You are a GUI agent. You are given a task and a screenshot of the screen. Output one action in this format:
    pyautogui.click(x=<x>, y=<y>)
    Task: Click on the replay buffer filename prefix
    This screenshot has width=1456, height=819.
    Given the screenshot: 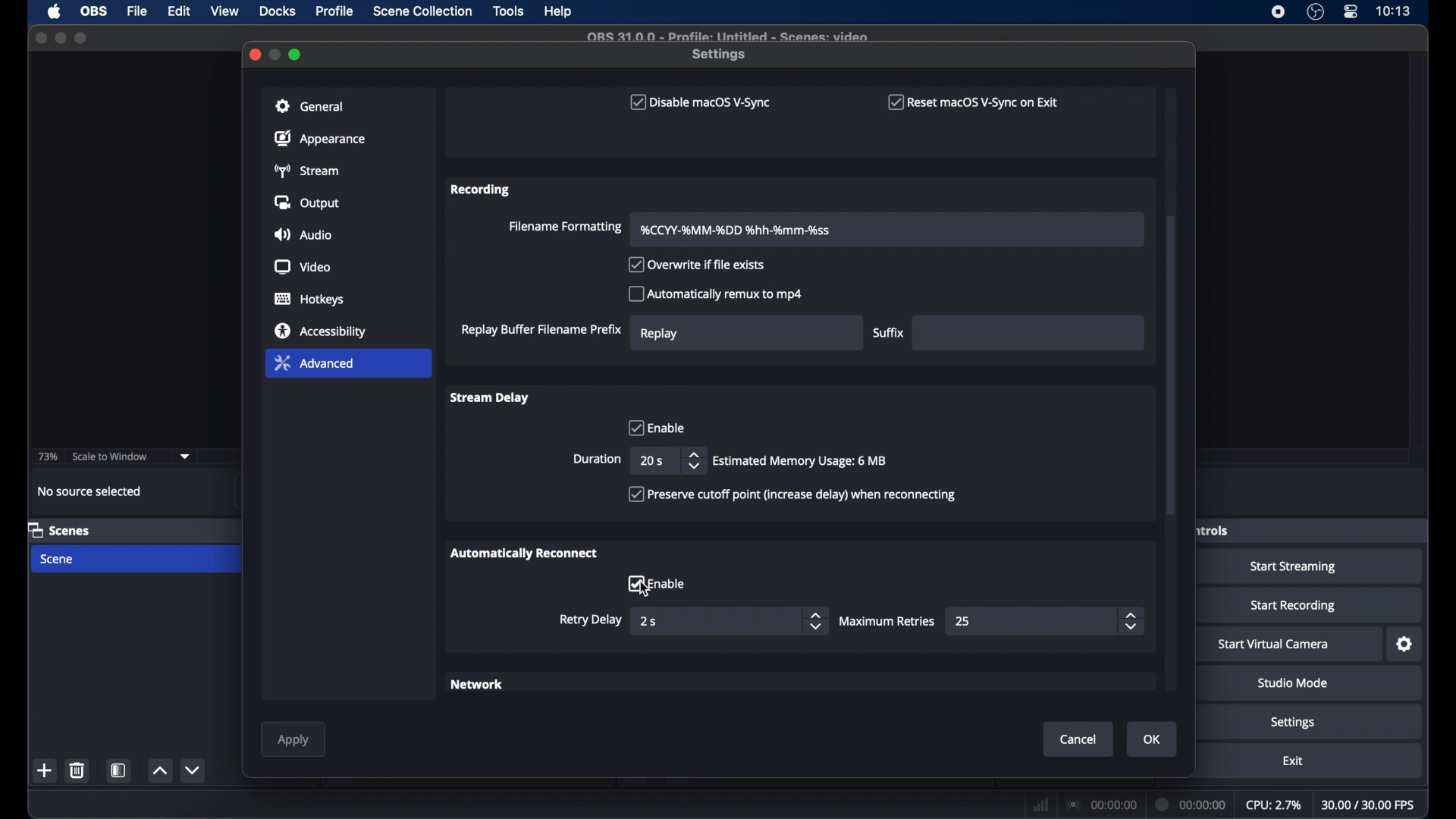 What is the action you would take?
    pyautogui.click(x=541, y=330)
    